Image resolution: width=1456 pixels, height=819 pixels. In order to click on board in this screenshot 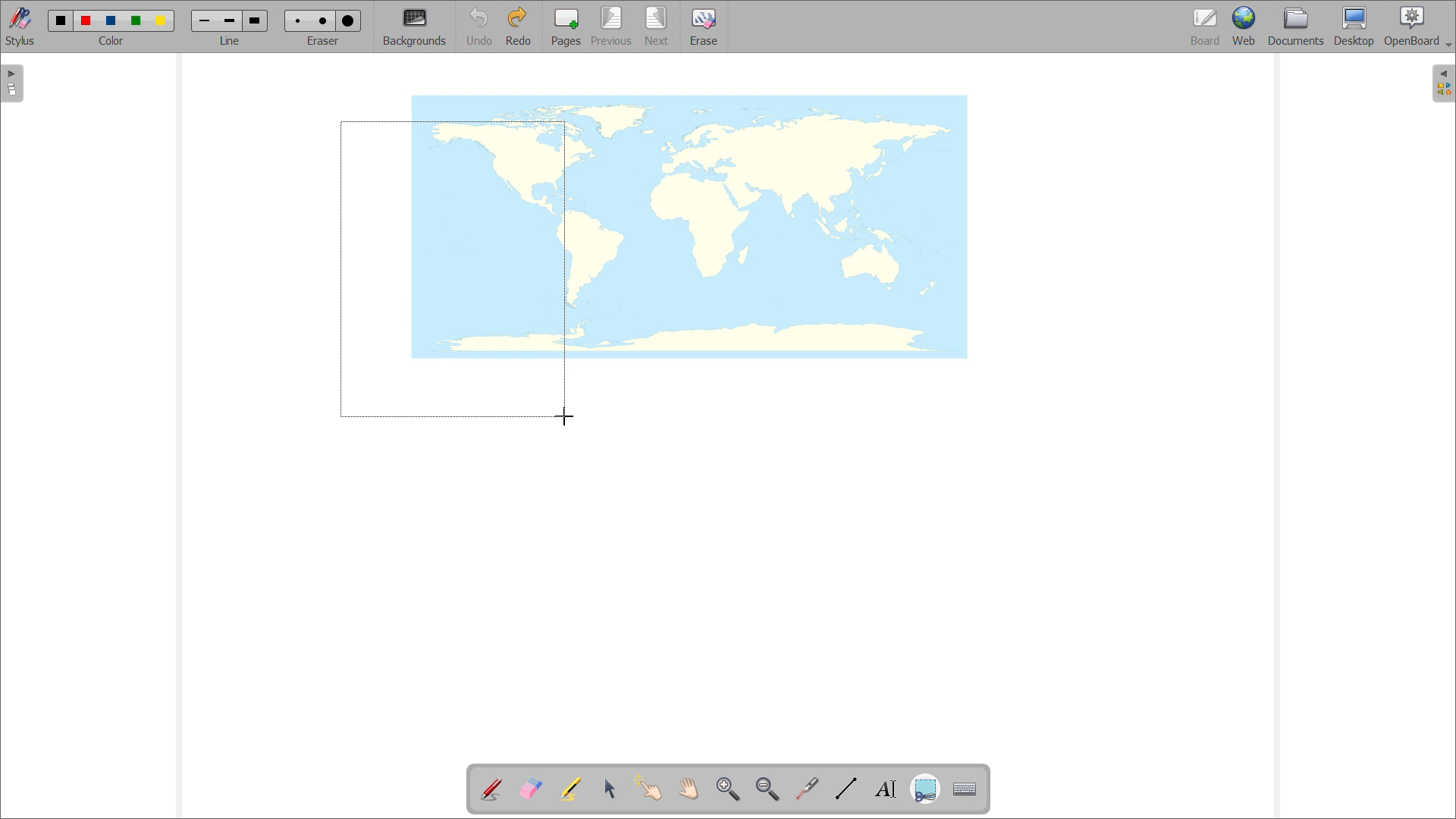, I will do `click(1207, 27)`.